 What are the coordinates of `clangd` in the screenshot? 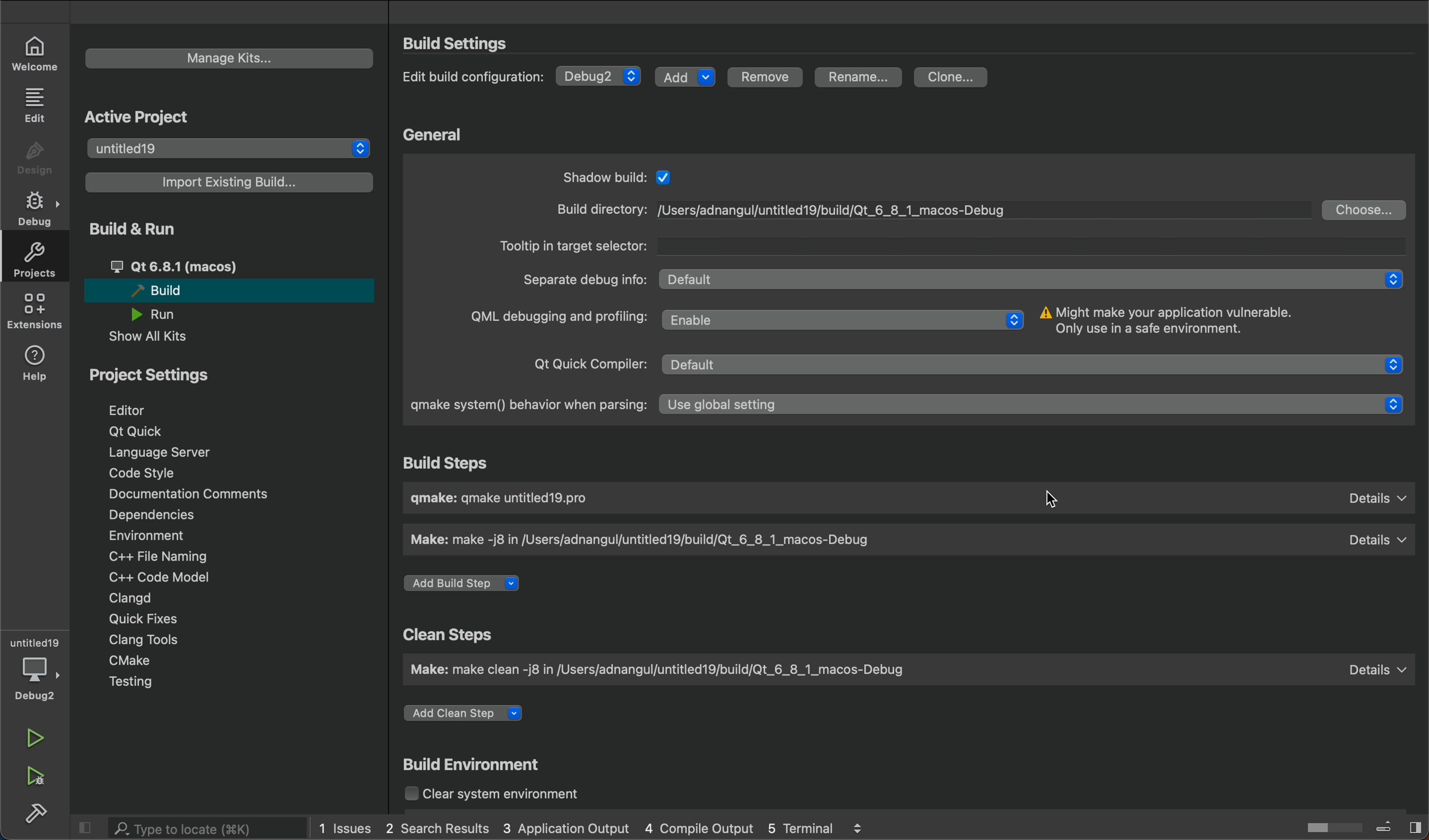 It's located at (130, 598).